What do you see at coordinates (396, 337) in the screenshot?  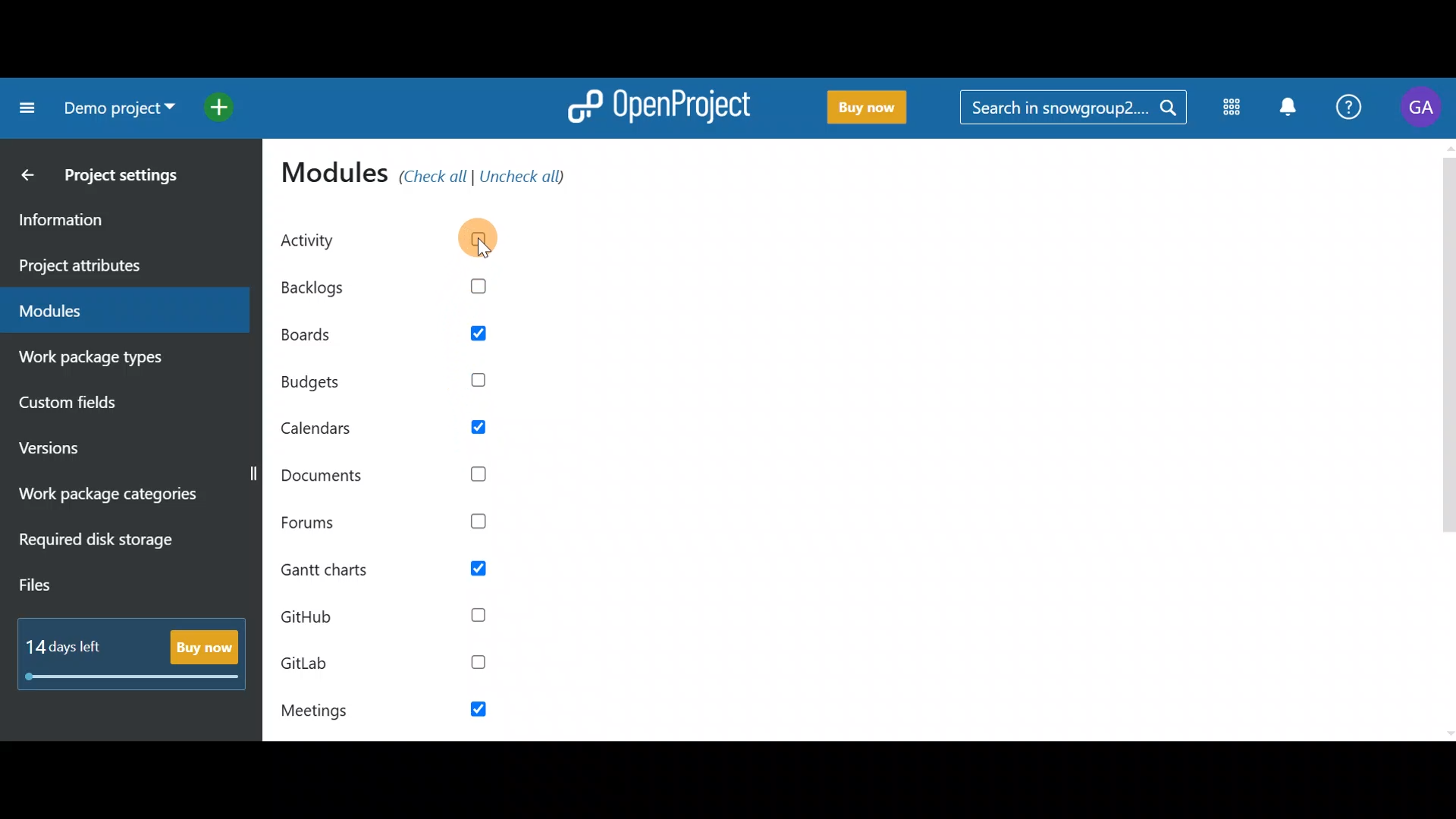 I see `Boards` at bounding box center [396, 337].